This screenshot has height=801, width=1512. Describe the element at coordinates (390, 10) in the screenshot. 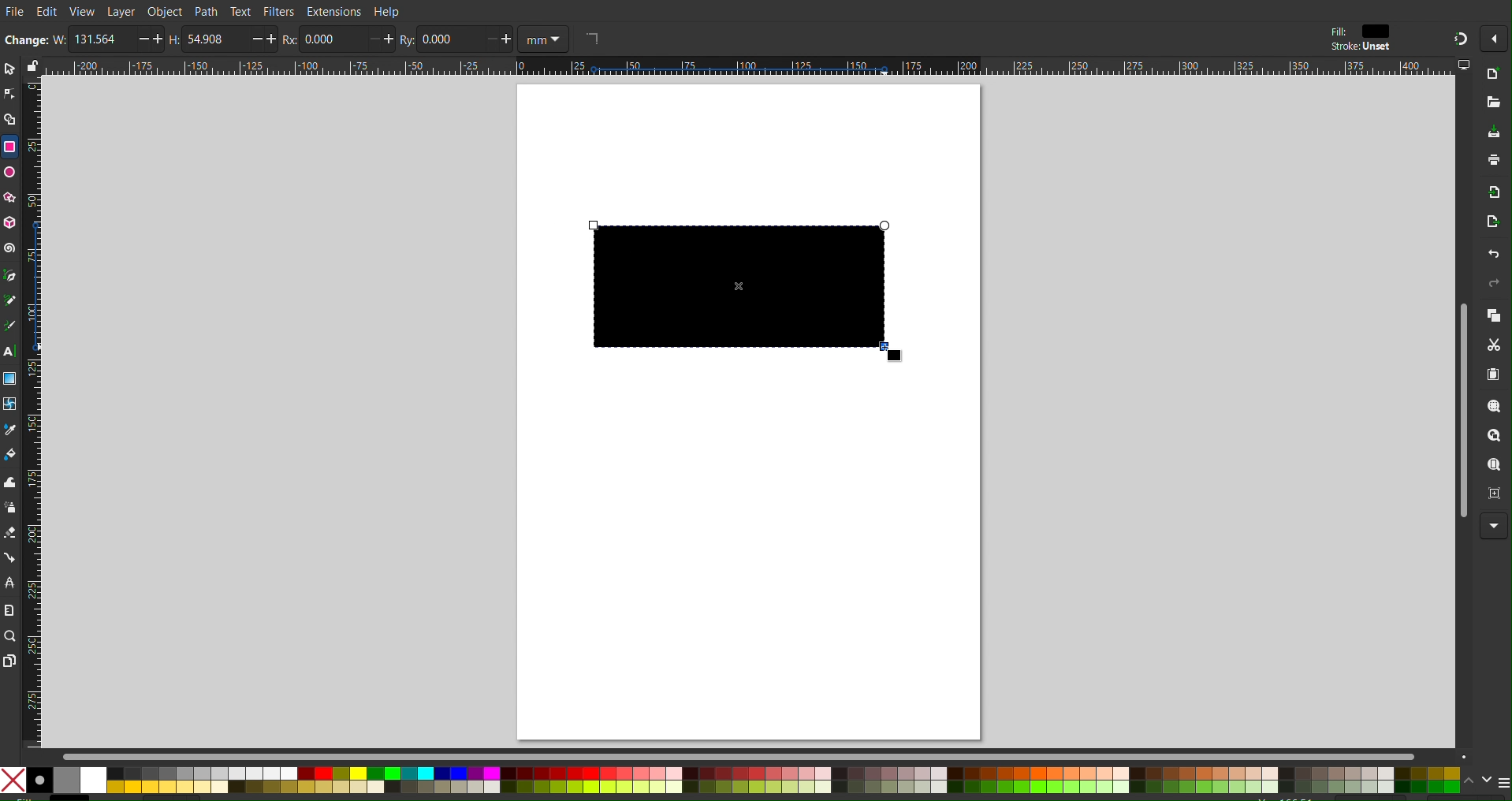

I see `Help` at that location.